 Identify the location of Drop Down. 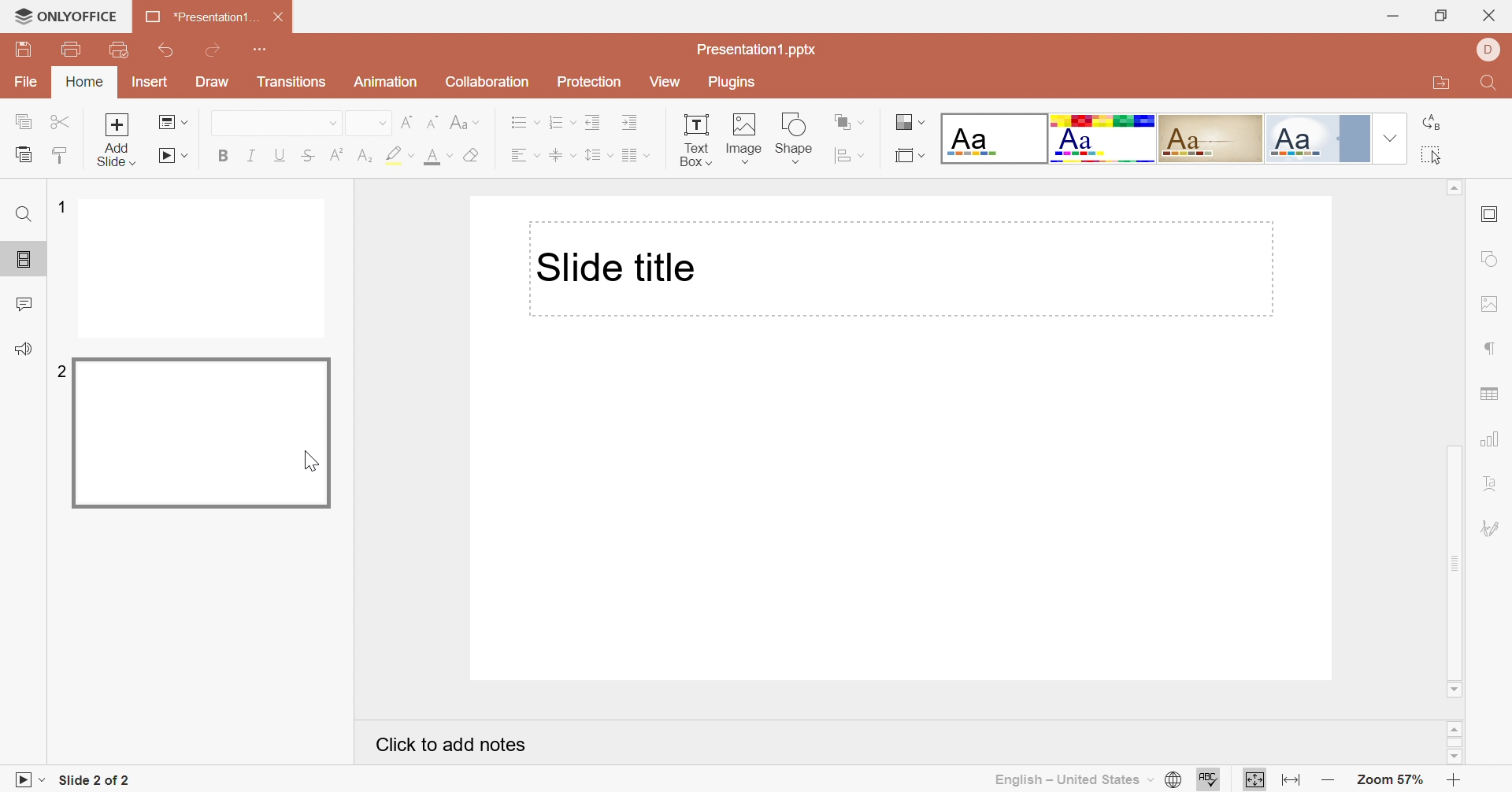
(334, 123).